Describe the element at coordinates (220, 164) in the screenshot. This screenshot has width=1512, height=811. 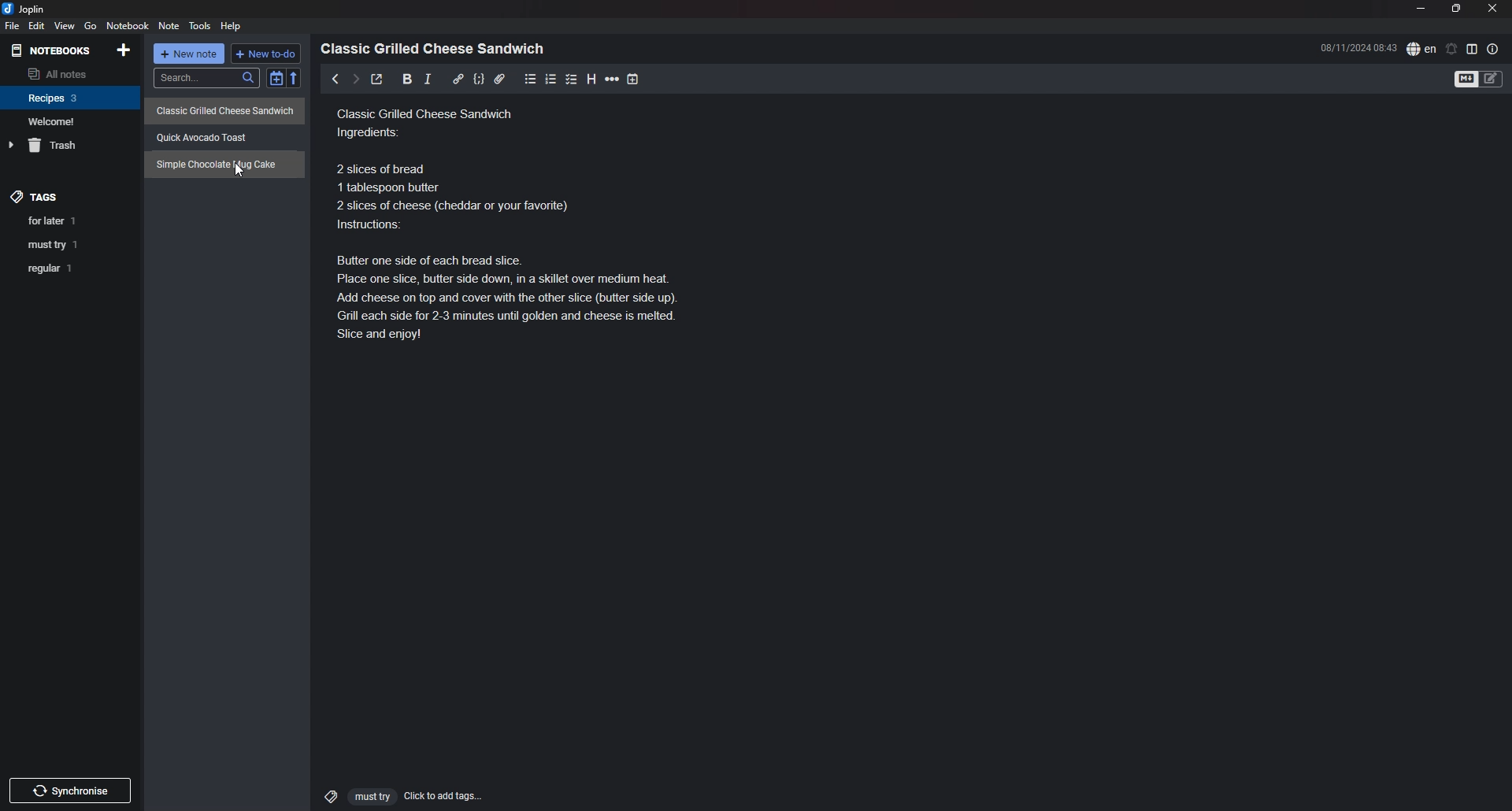
I see `‘Simple Chocolate mug Cake` at that location.